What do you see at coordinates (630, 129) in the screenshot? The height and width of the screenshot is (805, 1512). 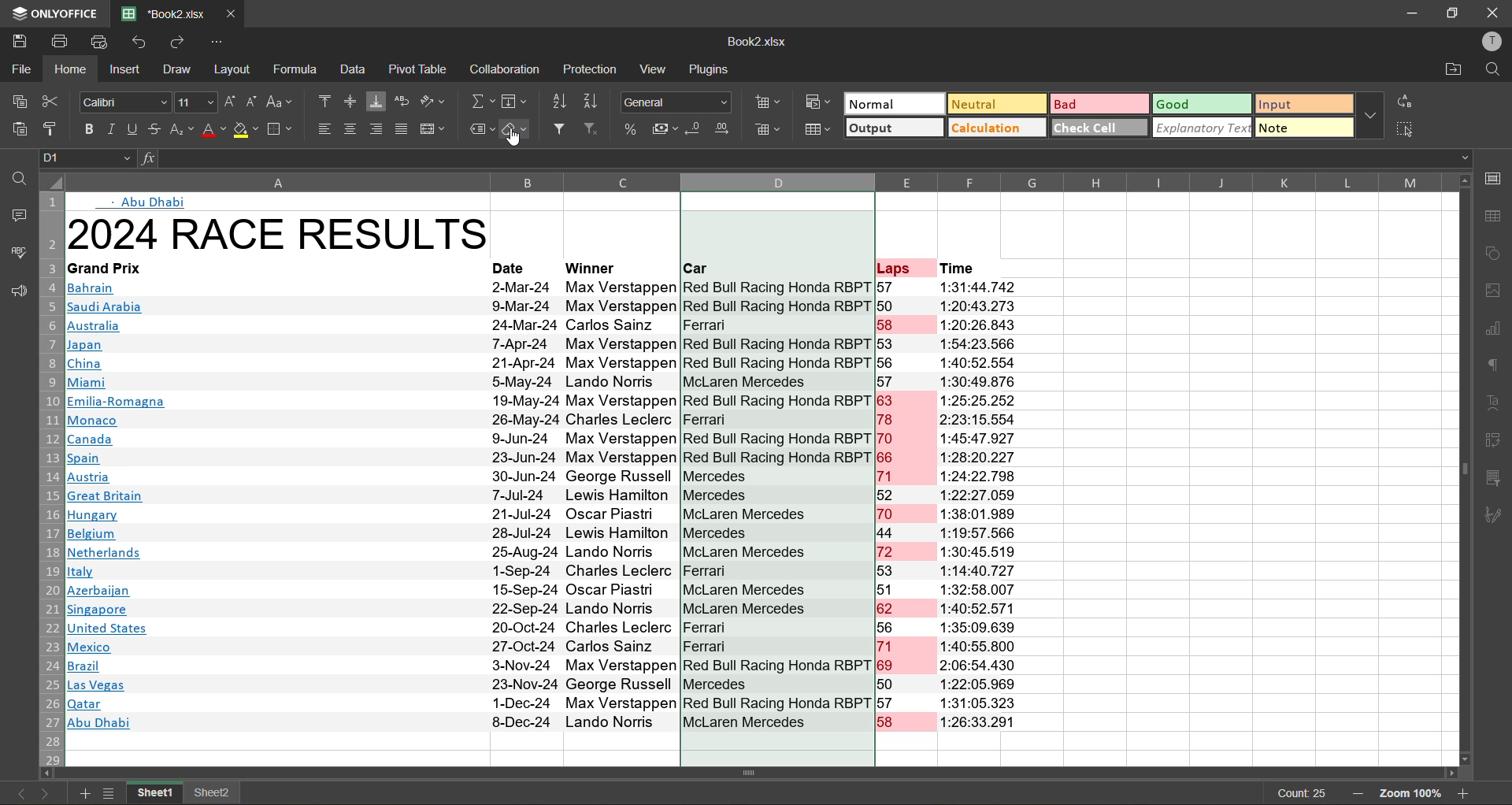 I see `percent` at bounding box center [630, 129].